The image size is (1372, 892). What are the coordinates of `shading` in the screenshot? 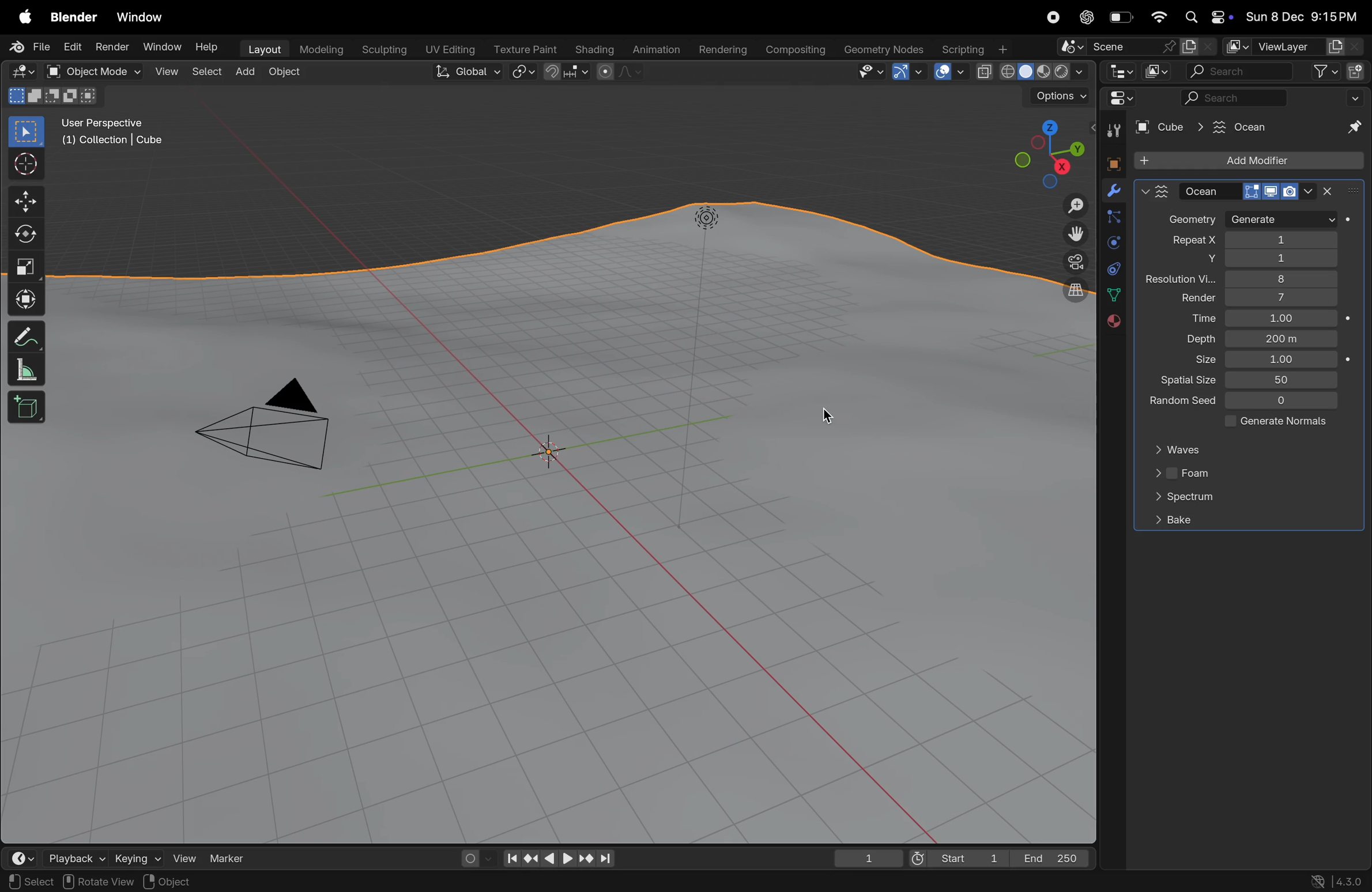 It's located at (591, 47).